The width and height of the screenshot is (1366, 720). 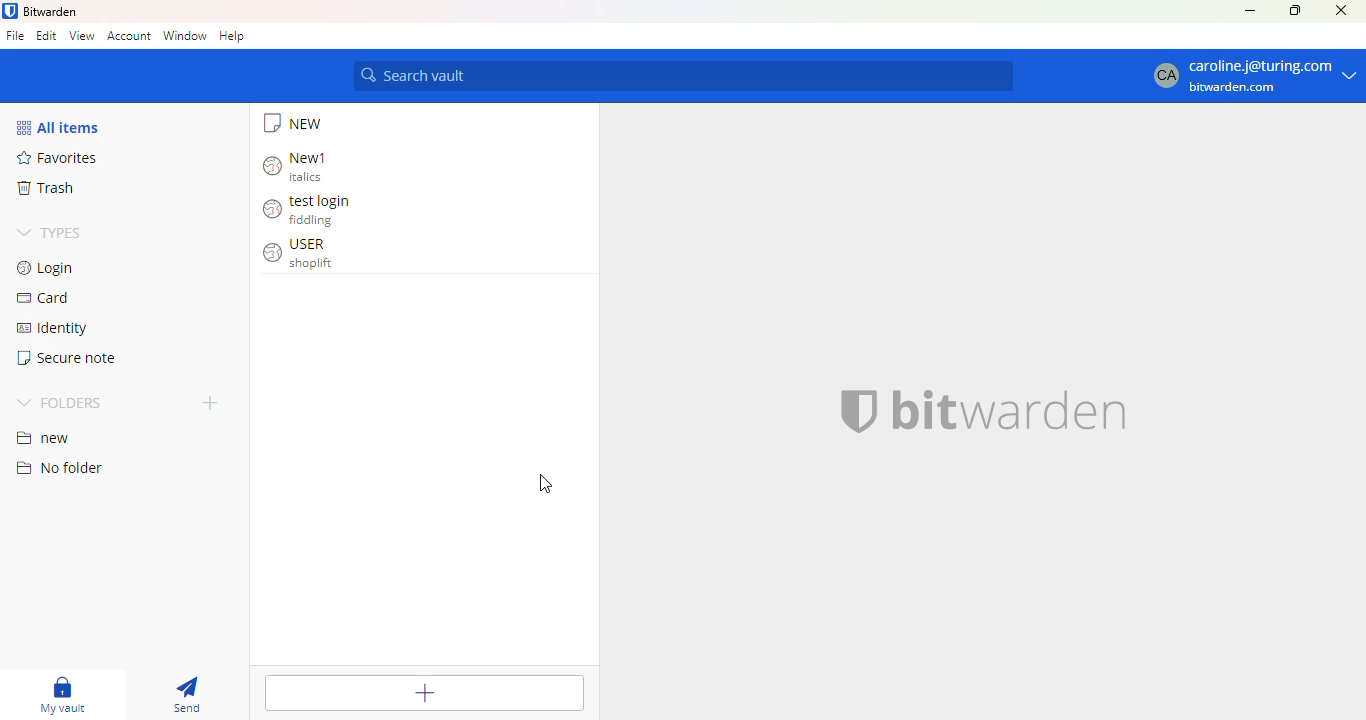 What do you see at coordinates (57, 158) in the screenshot?
I see `favorites` at bounding box center [57, 158].